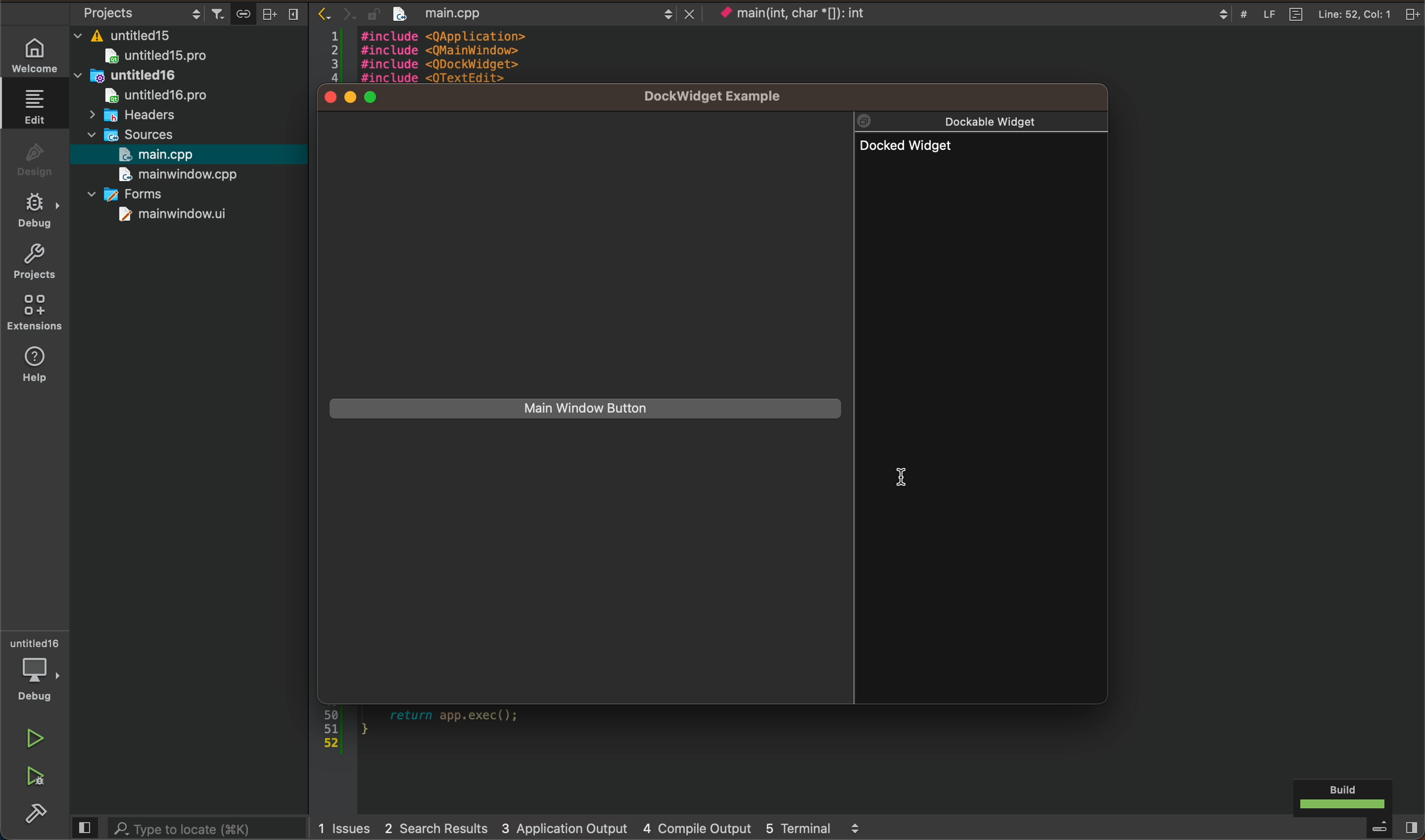 This screenshot has height=840, width=1425. Describe the element at coordinates (547, 16) in the screenshot. I see `after save` at that location.